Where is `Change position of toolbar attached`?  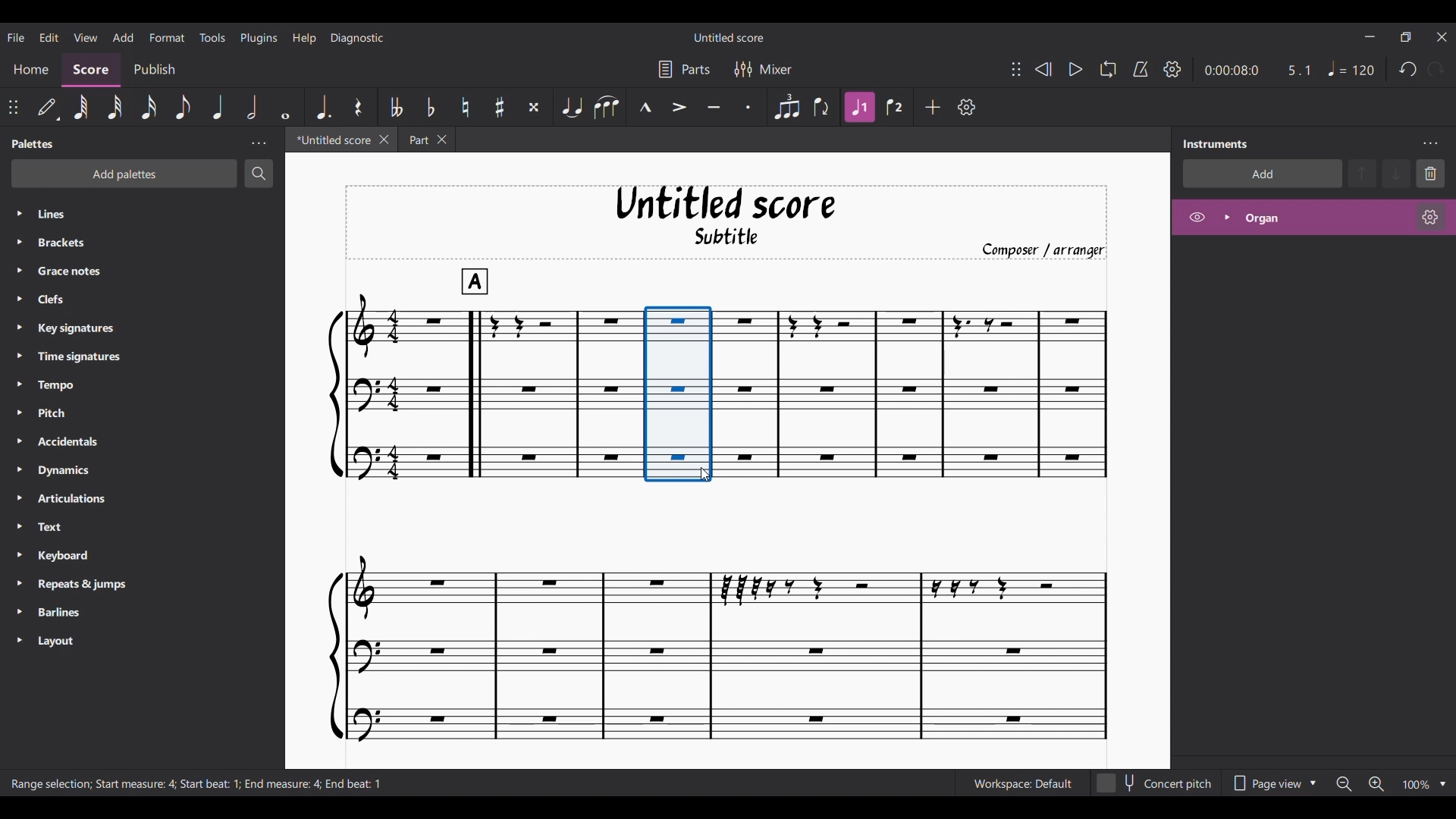
Change position of toolbar attached is located at coordinates (13, 107).